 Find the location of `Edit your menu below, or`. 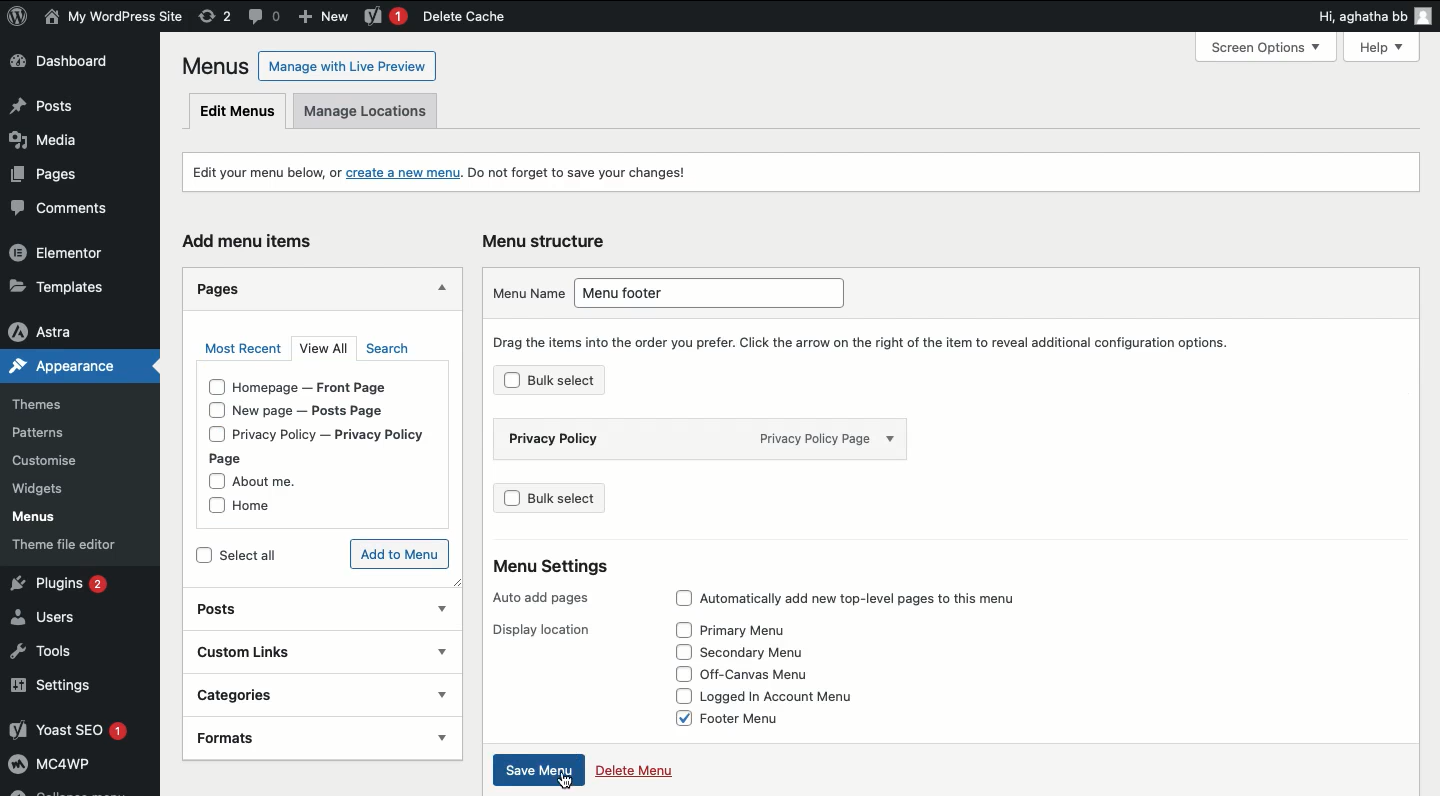

Edit your menu below, or is located at coordinates (254, 171).